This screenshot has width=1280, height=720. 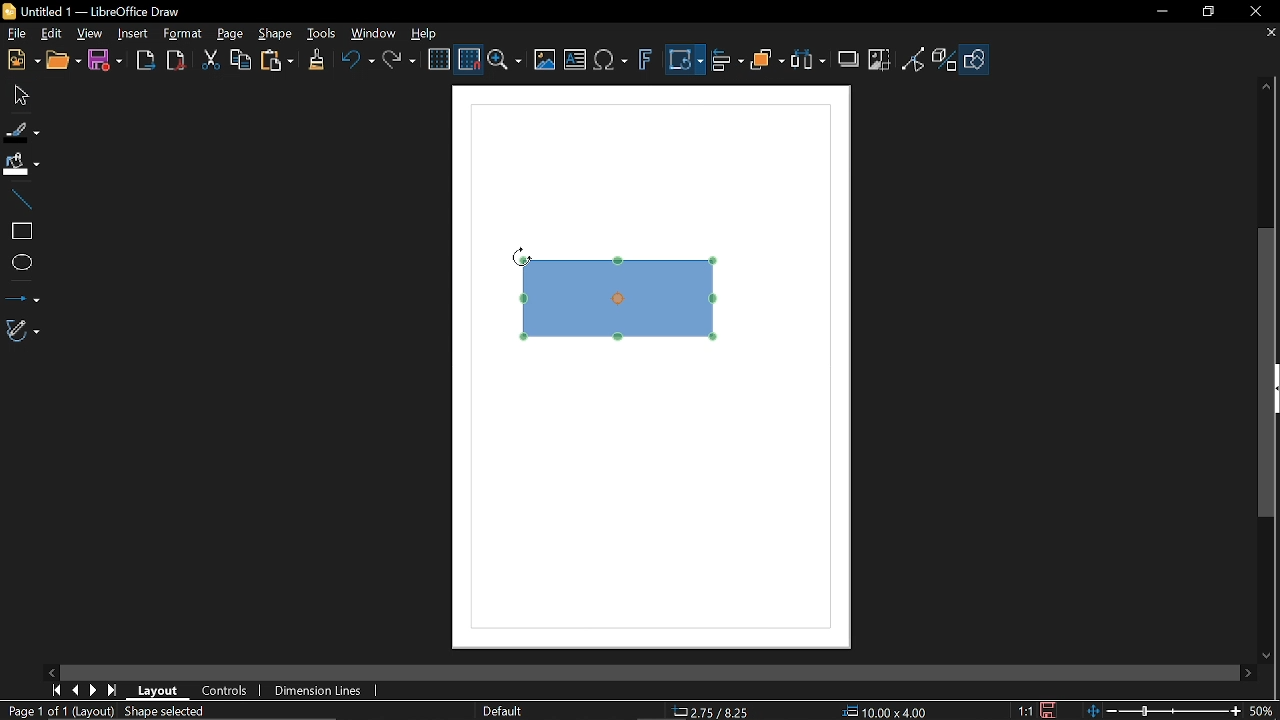 What do you see at coordinates (209, 63) in the screenshot?
I see `Cut` at bounding box center [209, 63].